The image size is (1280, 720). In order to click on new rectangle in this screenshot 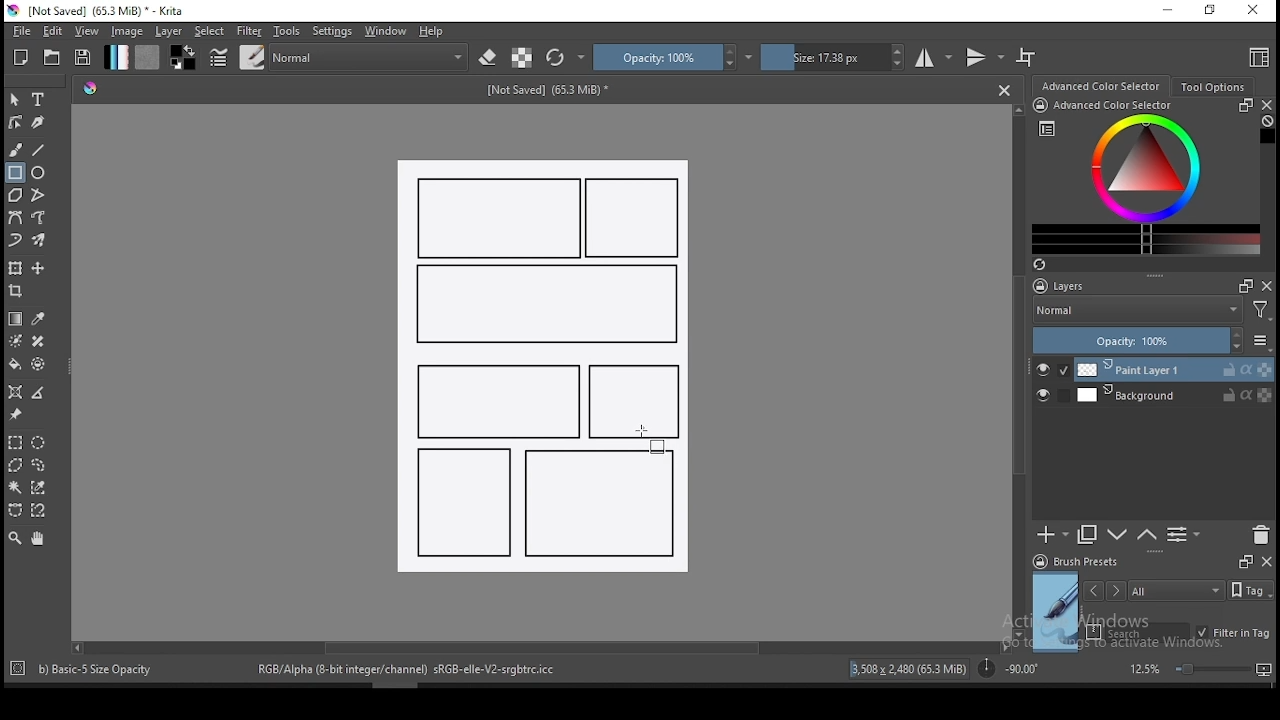, I will do `click(544, 305)`.